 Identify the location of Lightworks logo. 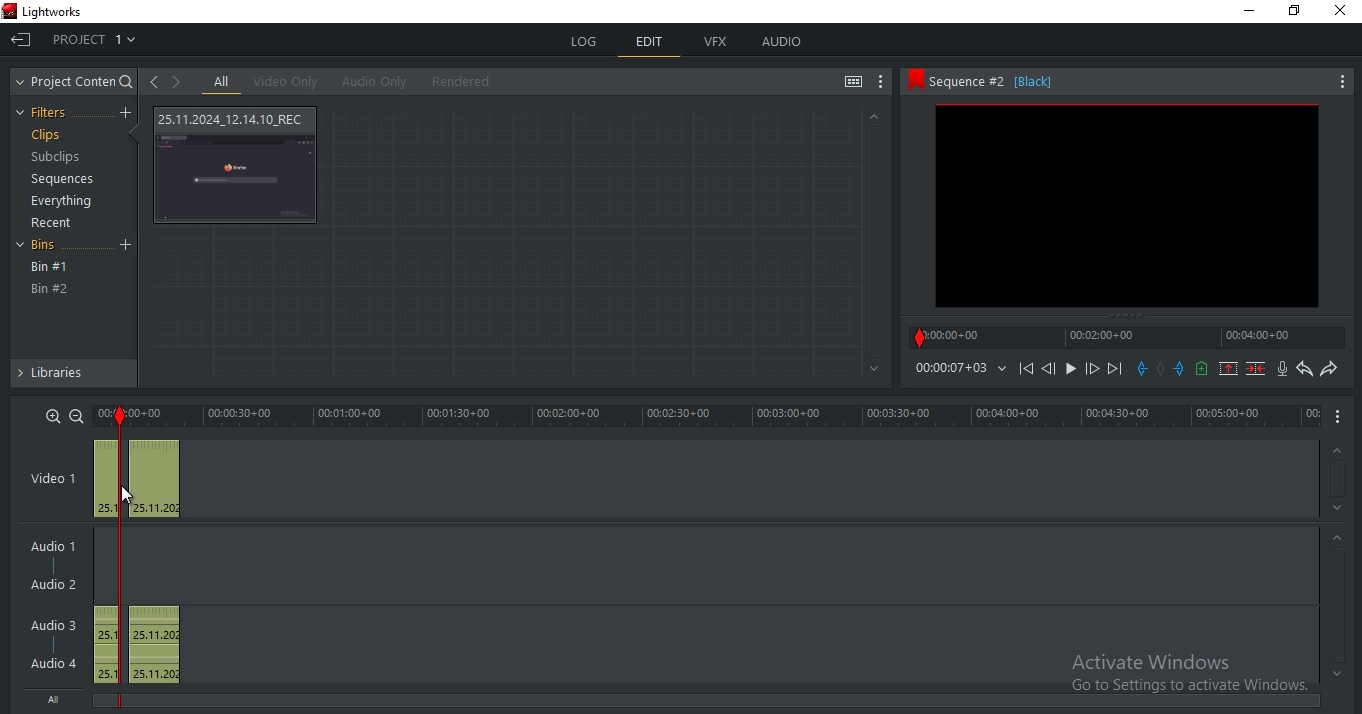
(9, 10).